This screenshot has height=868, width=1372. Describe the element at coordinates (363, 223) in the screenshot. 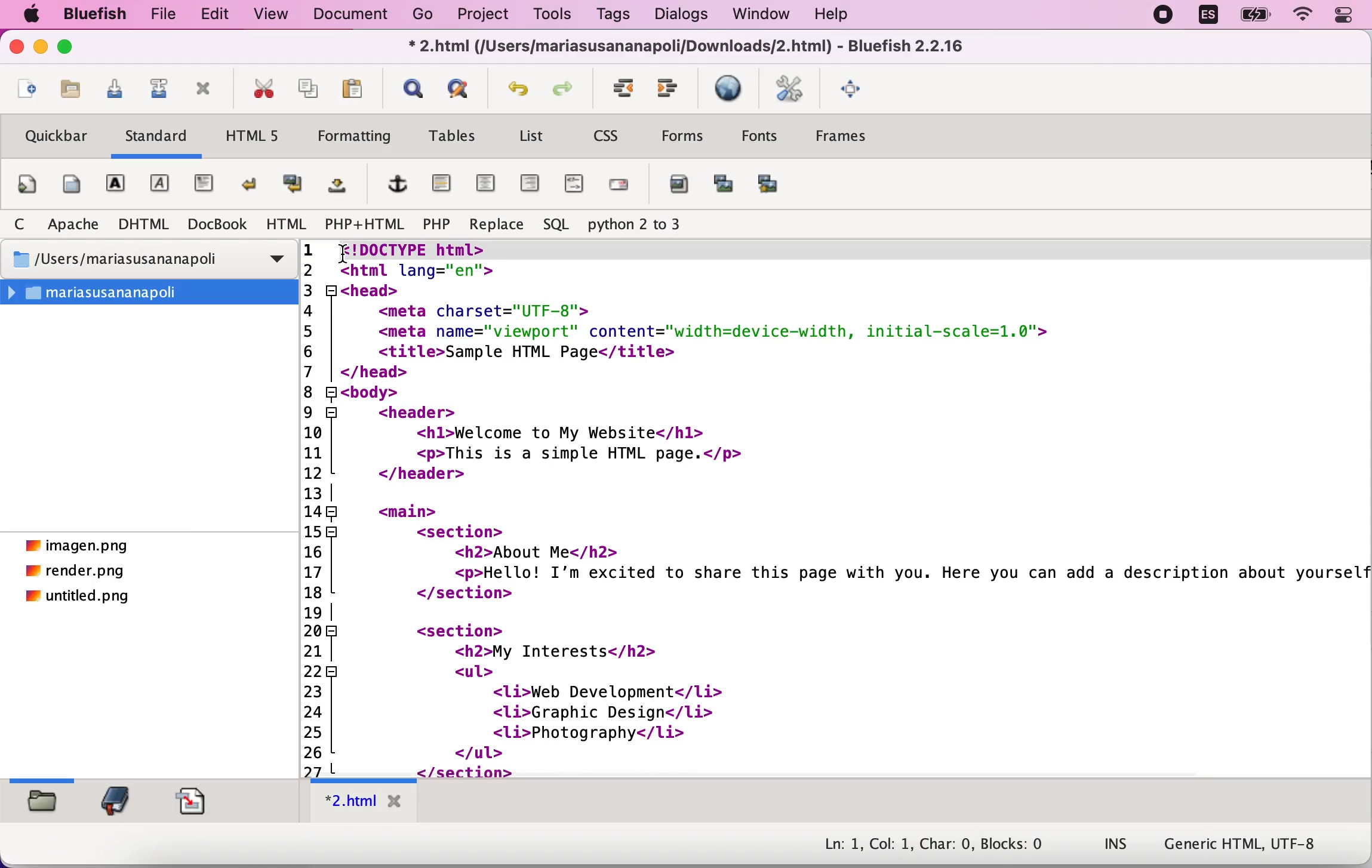

I see `php+html` at that location.